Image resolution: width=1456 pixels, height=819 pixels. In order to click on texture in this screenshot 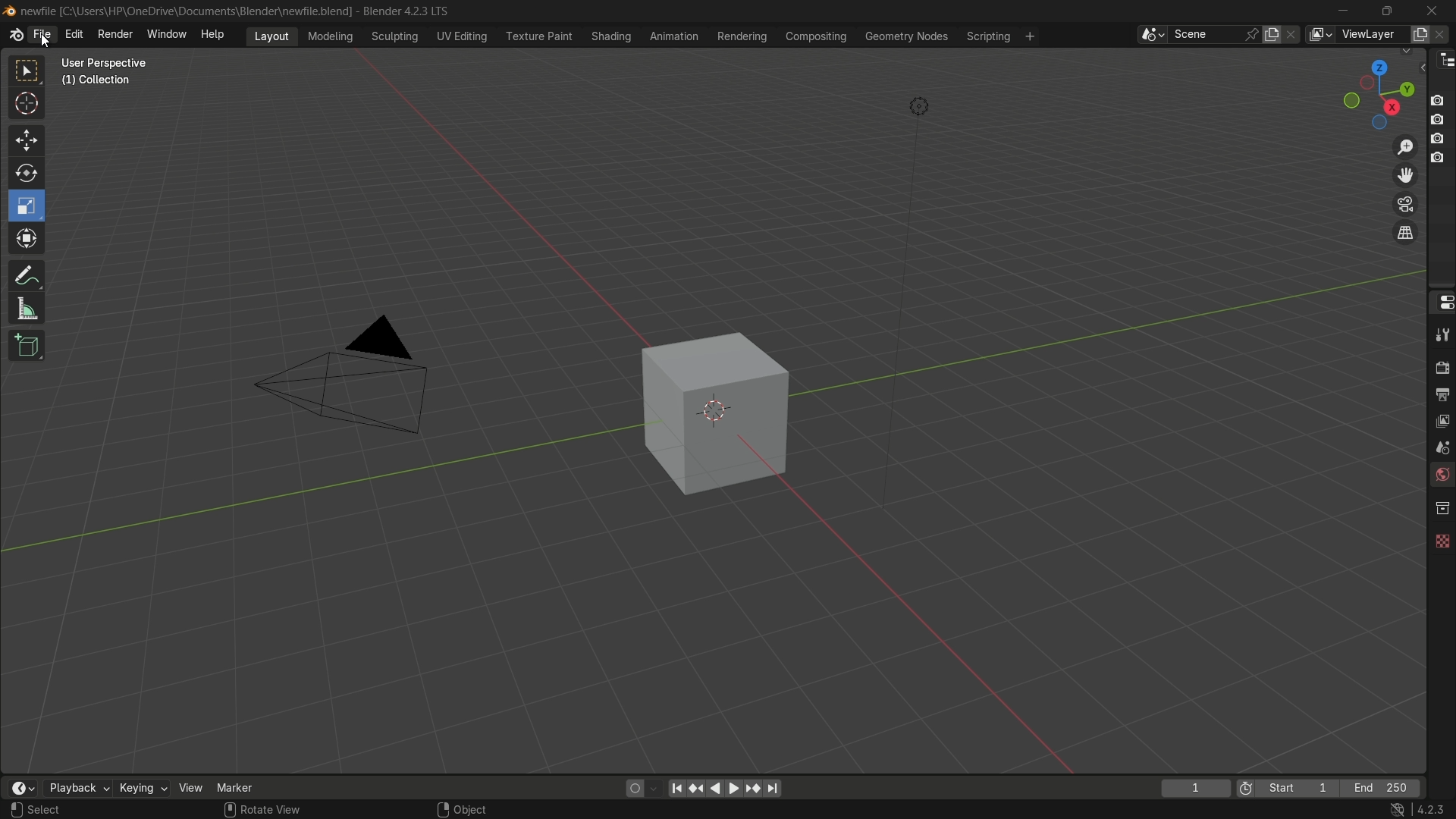, I will do `click(1441, 538)`.